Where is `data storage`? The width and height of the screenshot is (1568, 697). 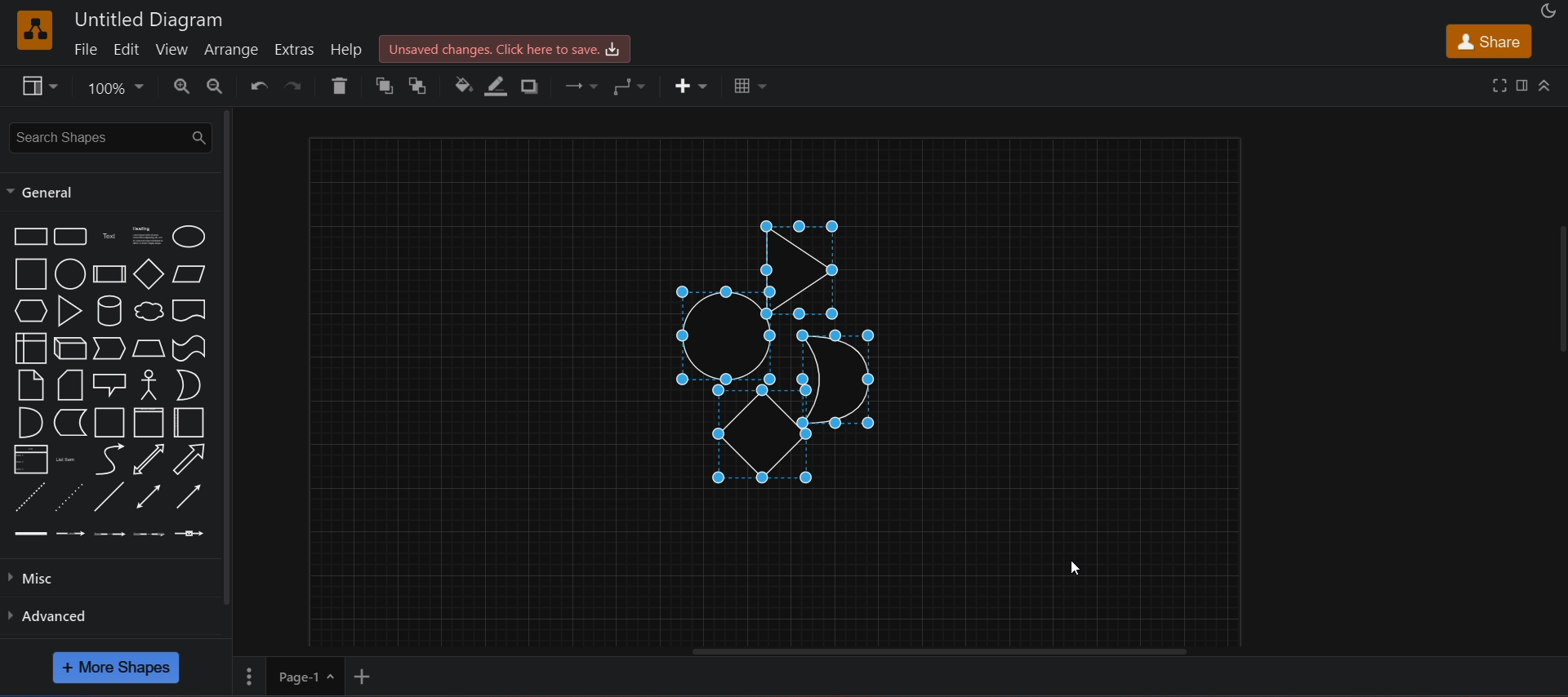 data storage is located at coordinates (71, 421).